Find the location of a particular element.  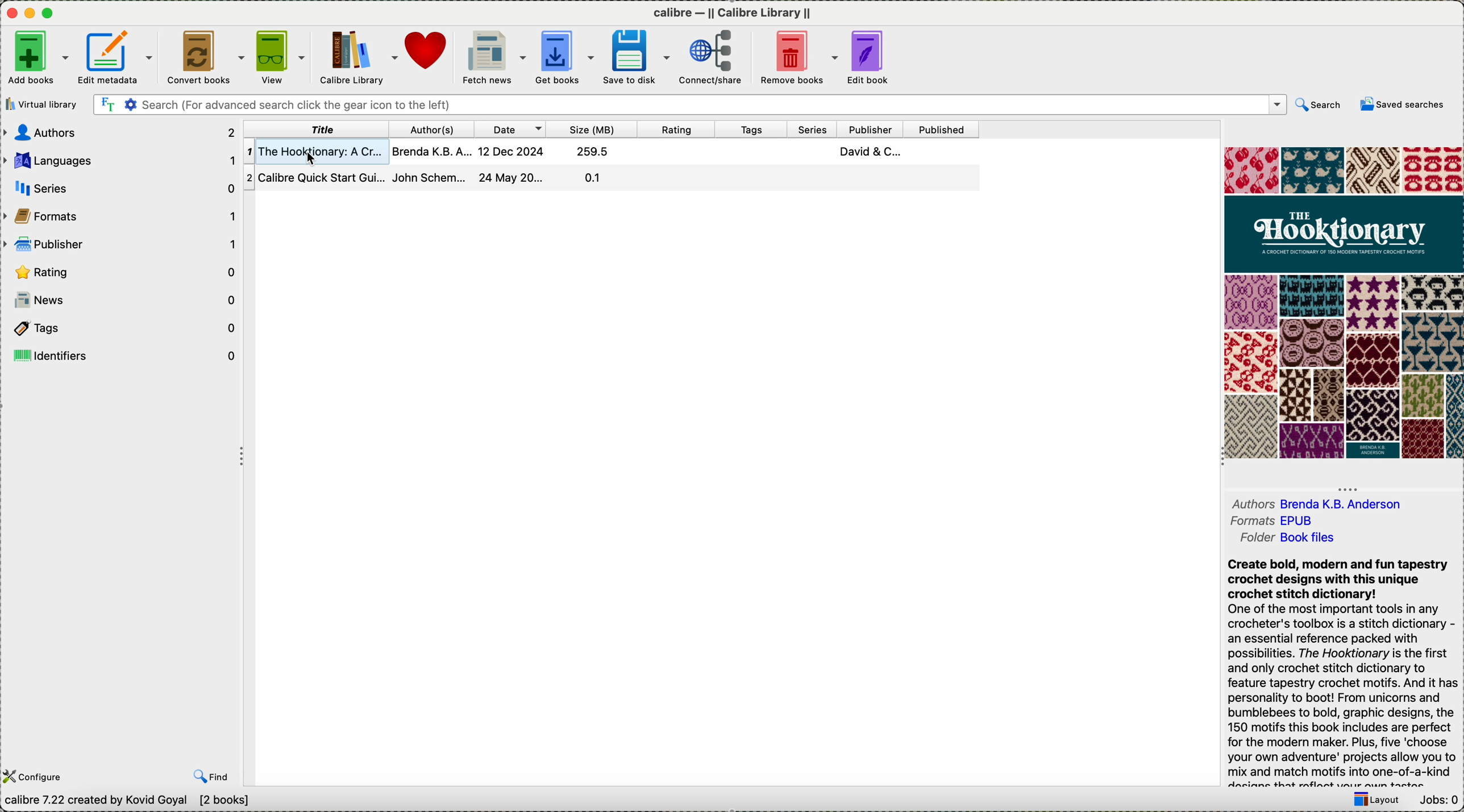

connect/share is located at coordinates (711, 56).